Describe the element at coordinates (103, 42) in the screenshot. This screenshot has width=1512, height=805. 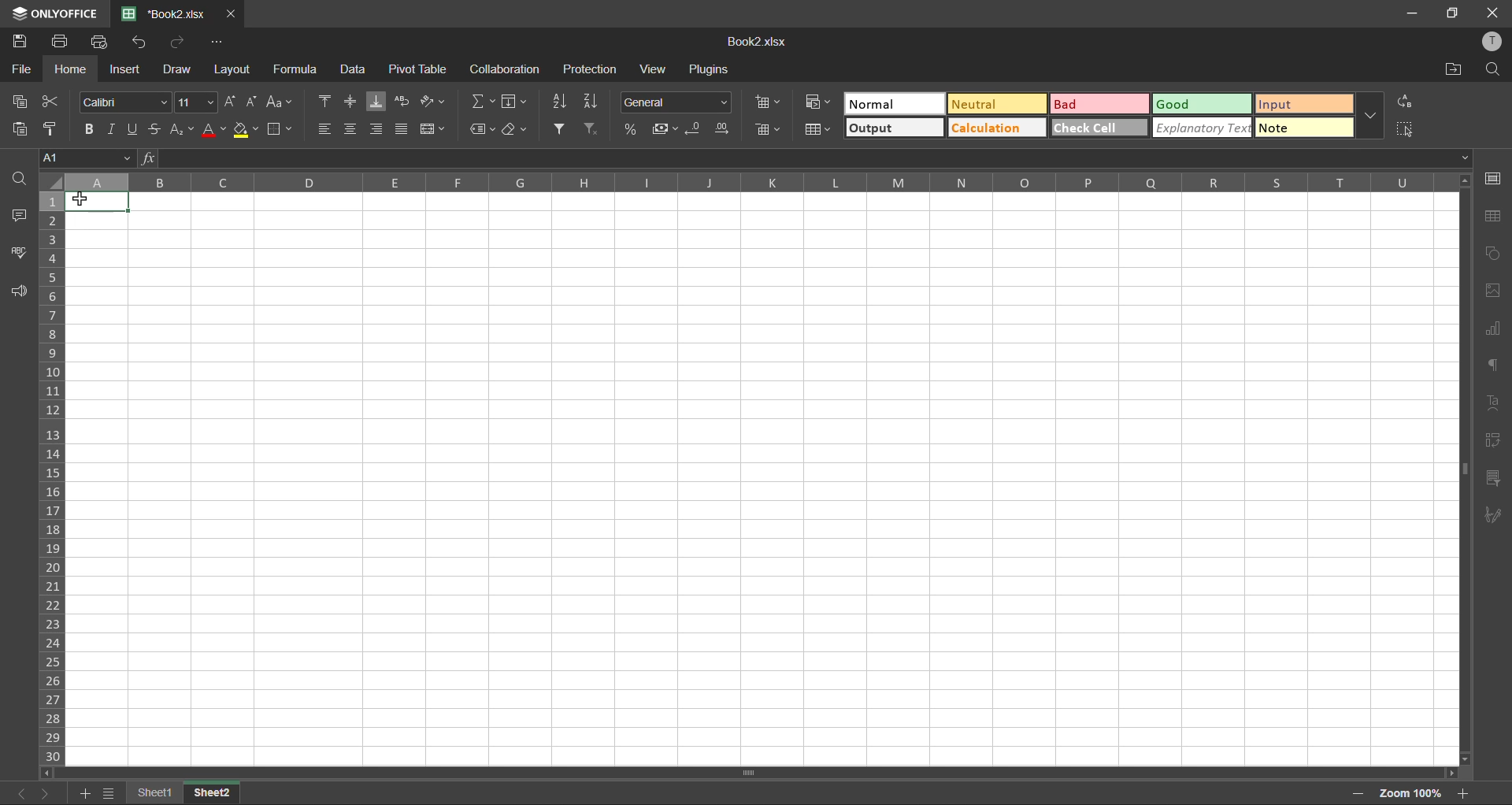
I see `quick print` at that location.